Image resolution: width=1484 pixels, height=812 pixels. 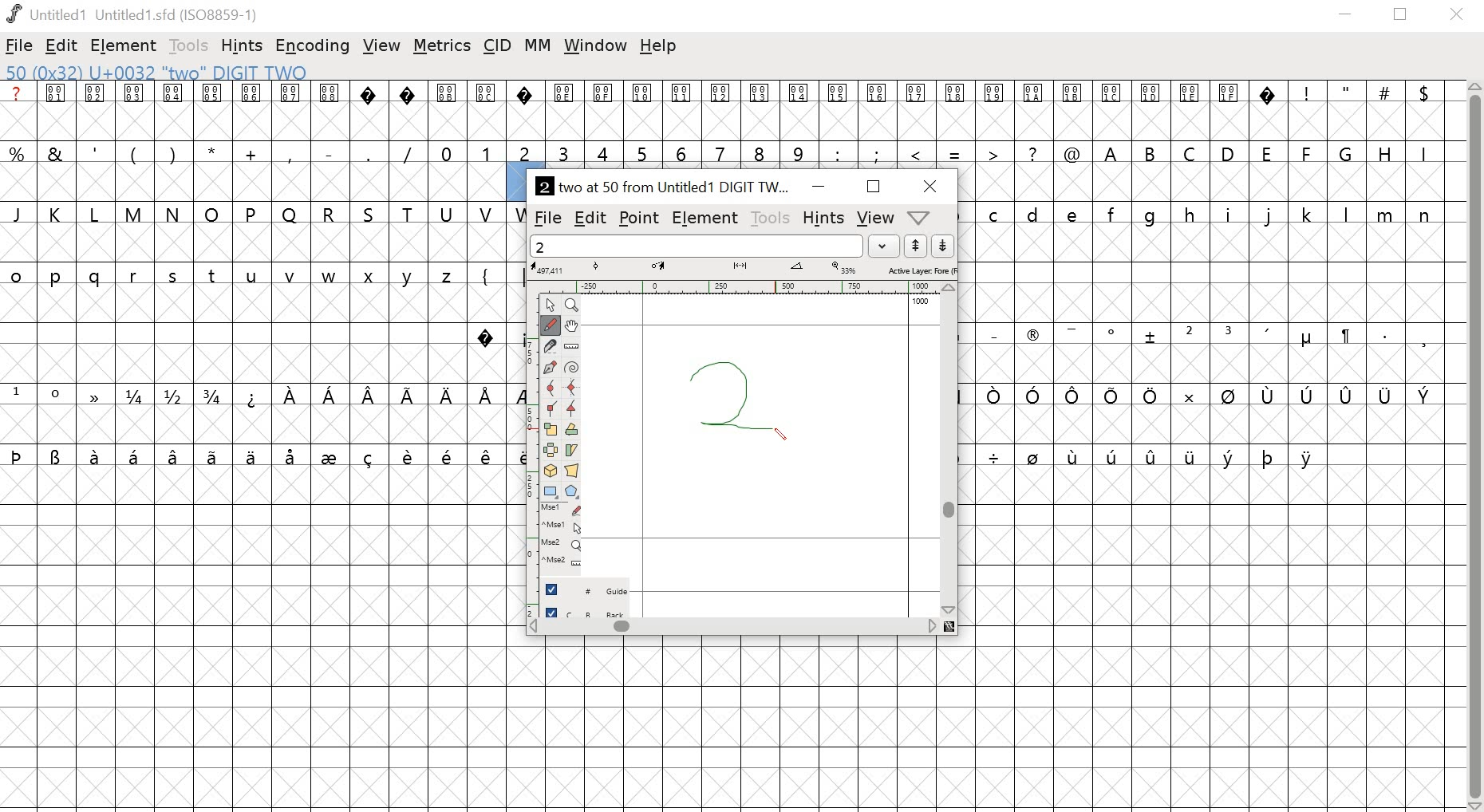 What do you see at coordinates (314, 45) in the screenshot?
I see `encoding` at bounding box center [314, 45].